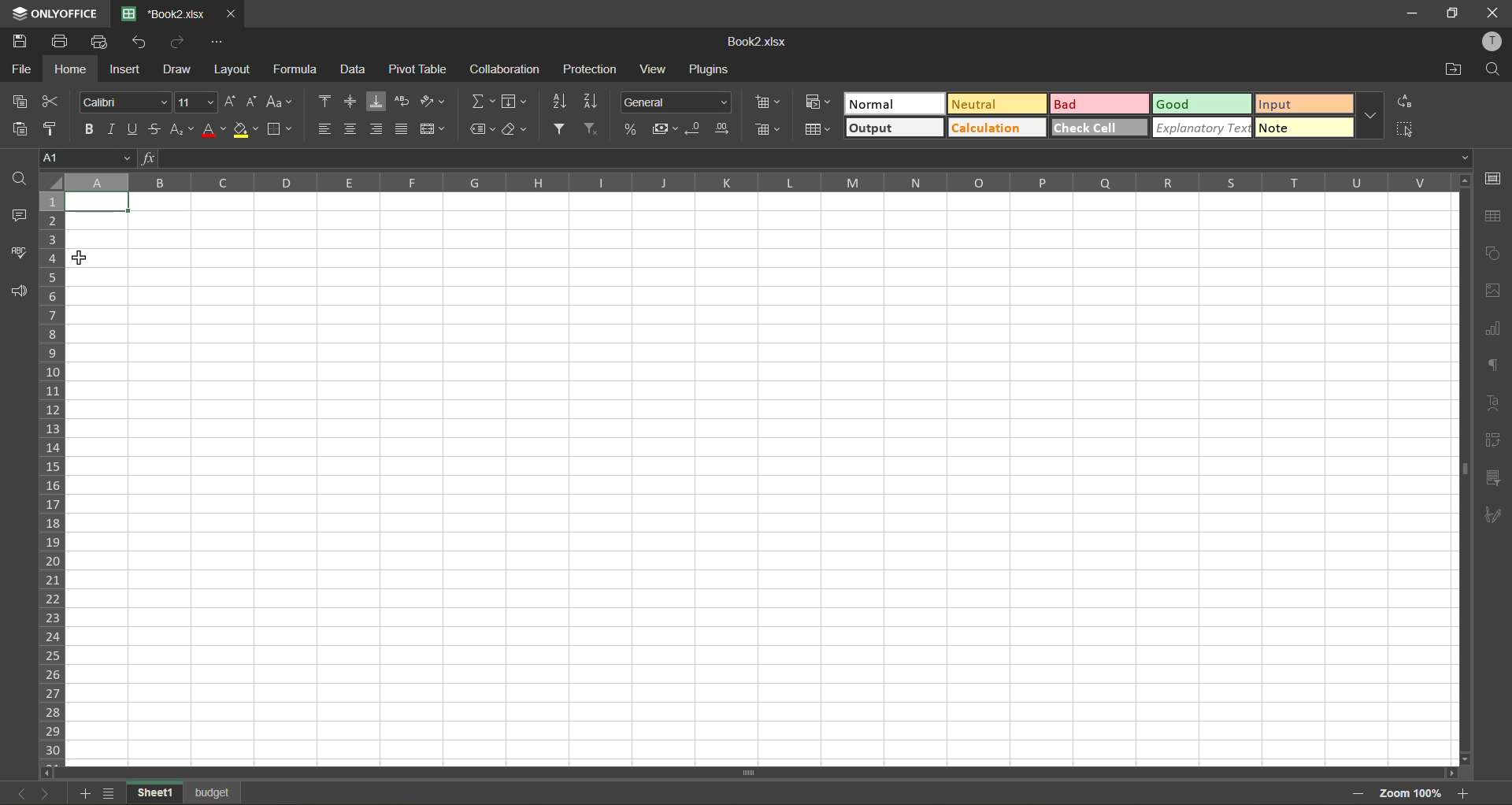 The width and height of the screenshot is (1512, 805). I want to click on format as table, so click(821, 131).